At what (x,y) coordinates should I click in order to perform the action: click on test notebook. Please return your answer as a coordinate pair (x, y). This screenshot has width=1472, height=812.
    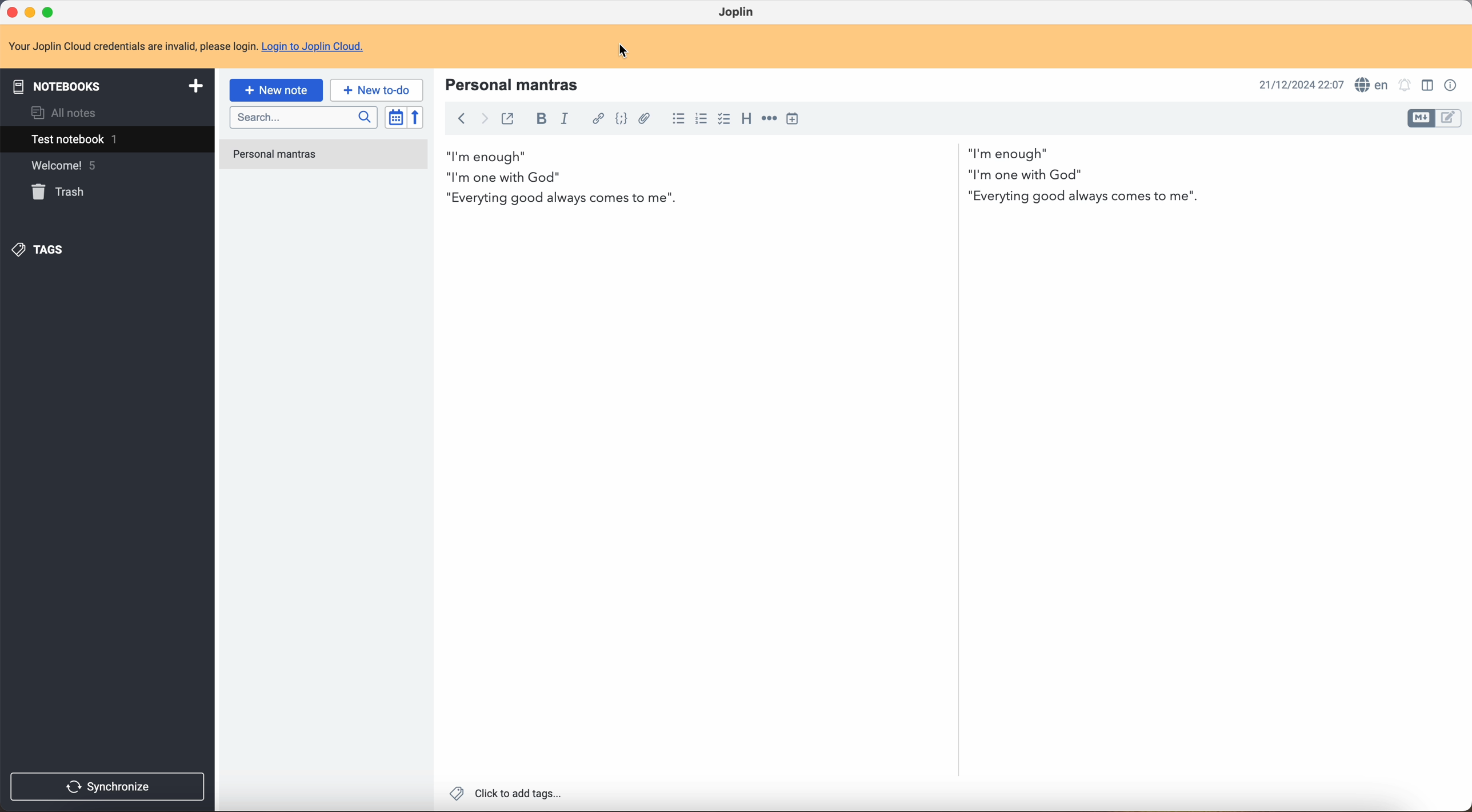
    Looking at the image, I should click on (74, 139).